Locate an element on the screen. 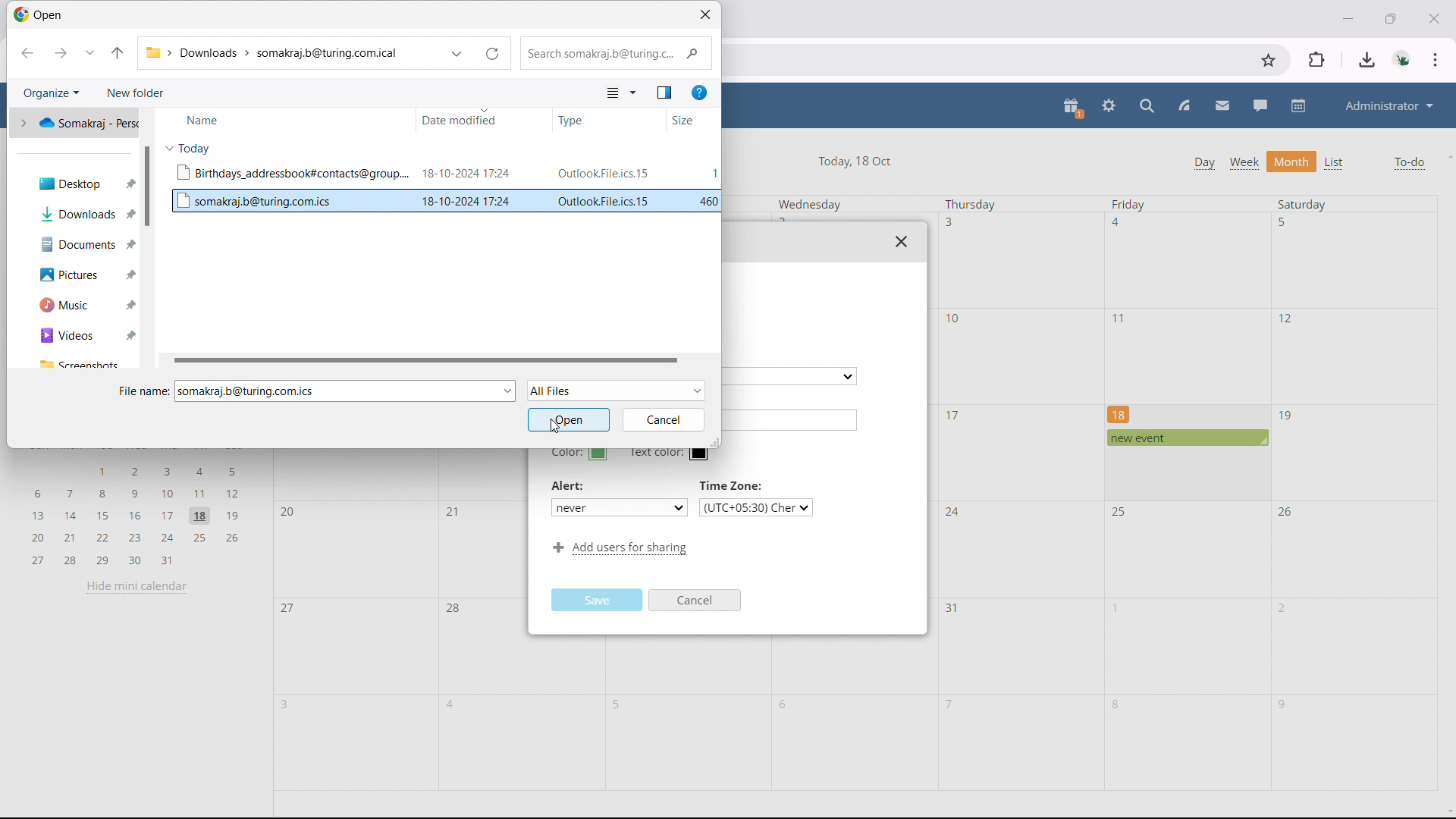 Image resolution: width=1456 pixels, height=819 pixels. 11 is located at coordinates (1122, 318).